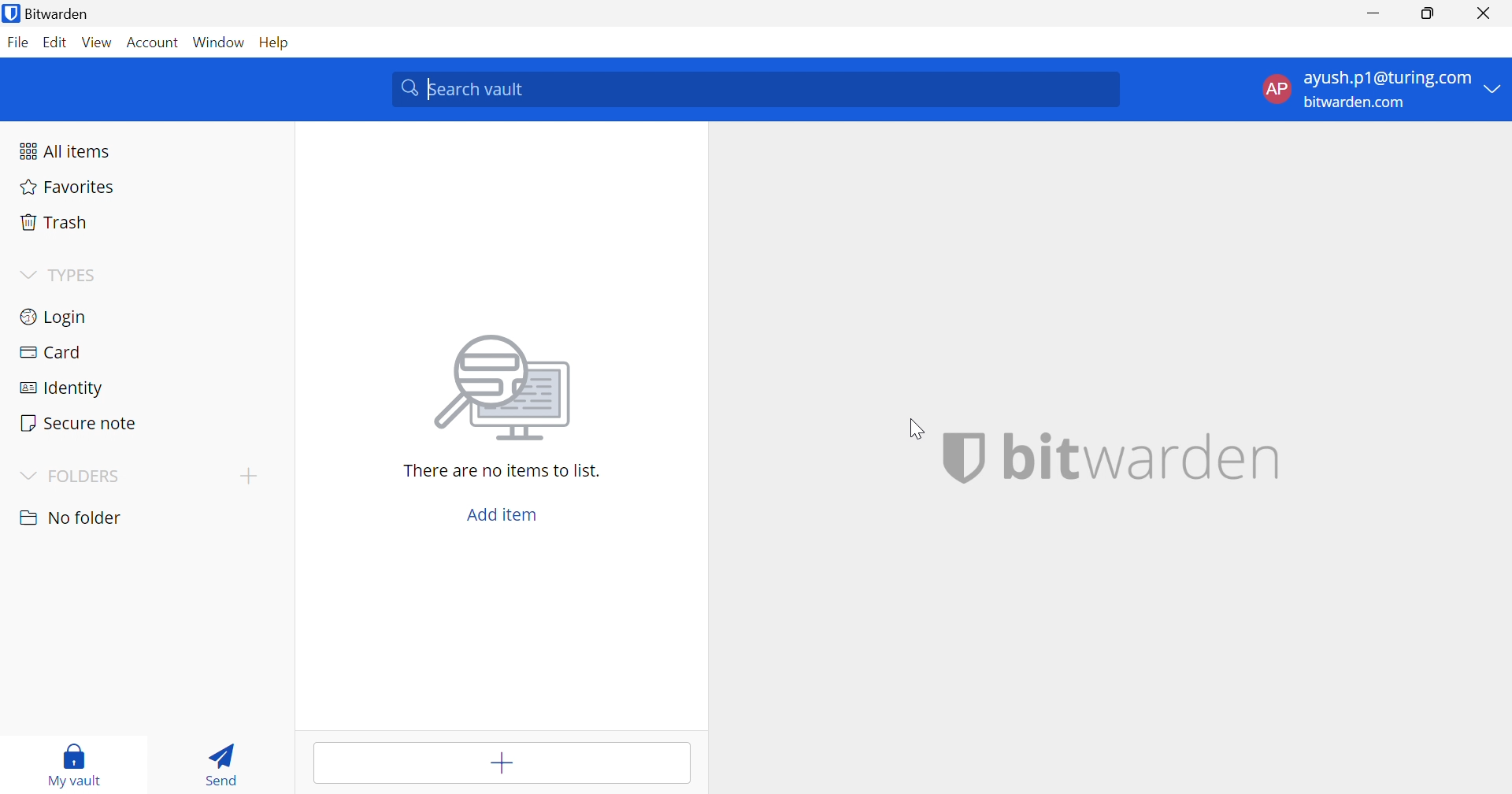  Describe the element at coordinates (76, 761) in the screenshot. I see `My vault` at that location.